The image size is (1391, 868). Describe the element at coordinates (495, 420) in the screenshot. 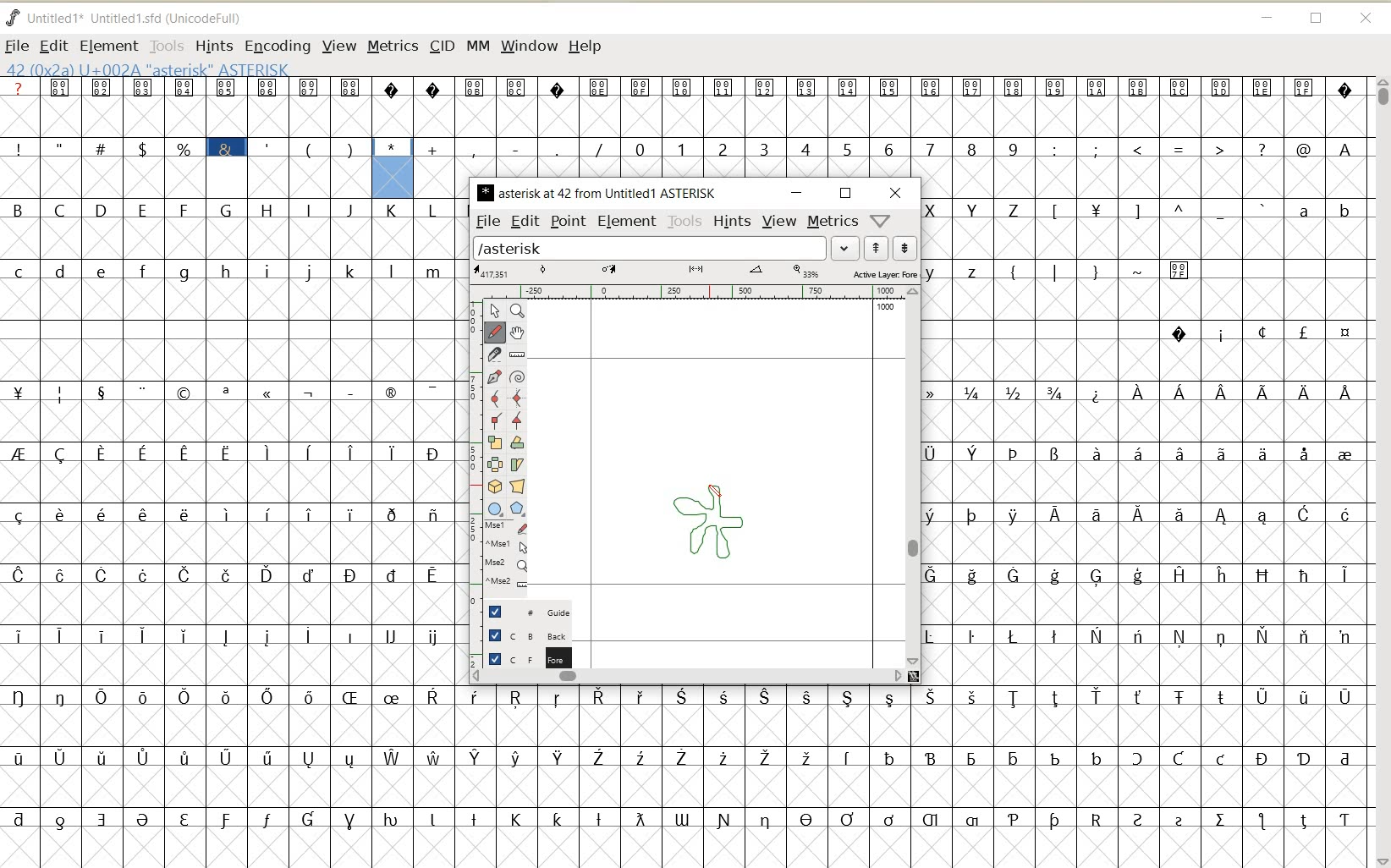

I see `add a corner point` at that location.